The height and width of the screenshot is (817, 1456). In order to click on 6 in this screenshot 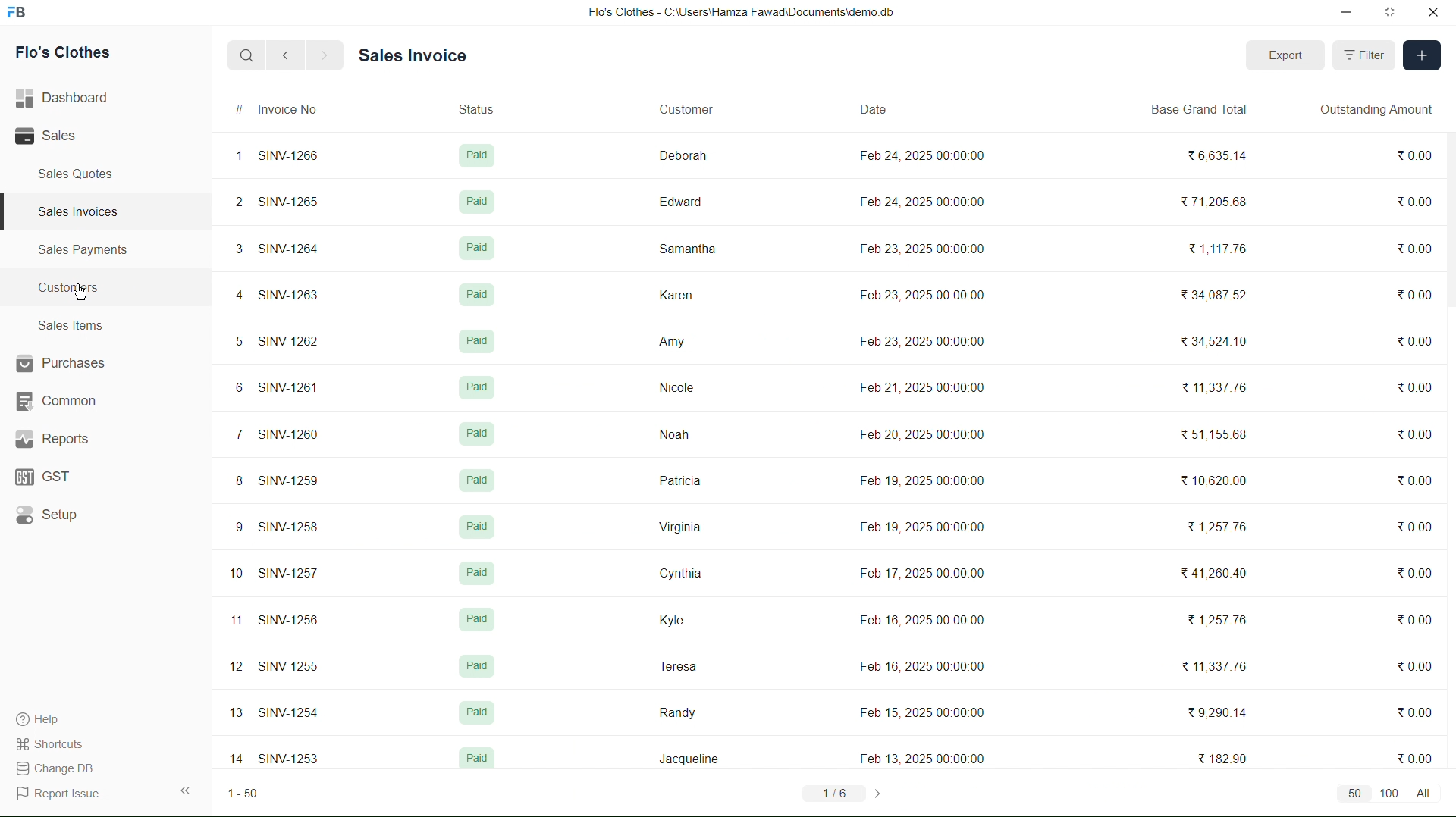, I will do `click(232, 387)`.